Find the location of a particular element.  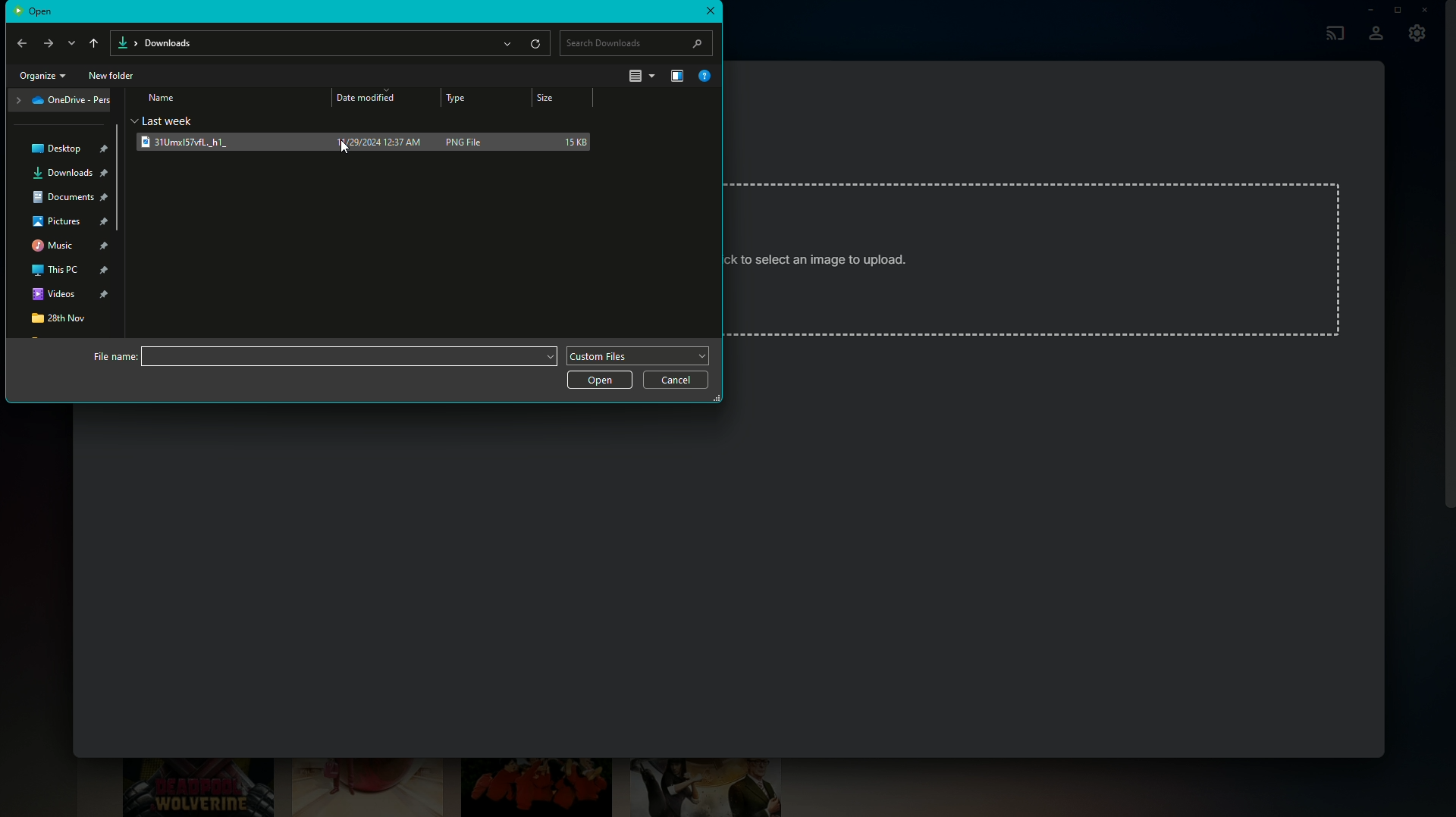

Settings is located at coordinates (1418, 37).